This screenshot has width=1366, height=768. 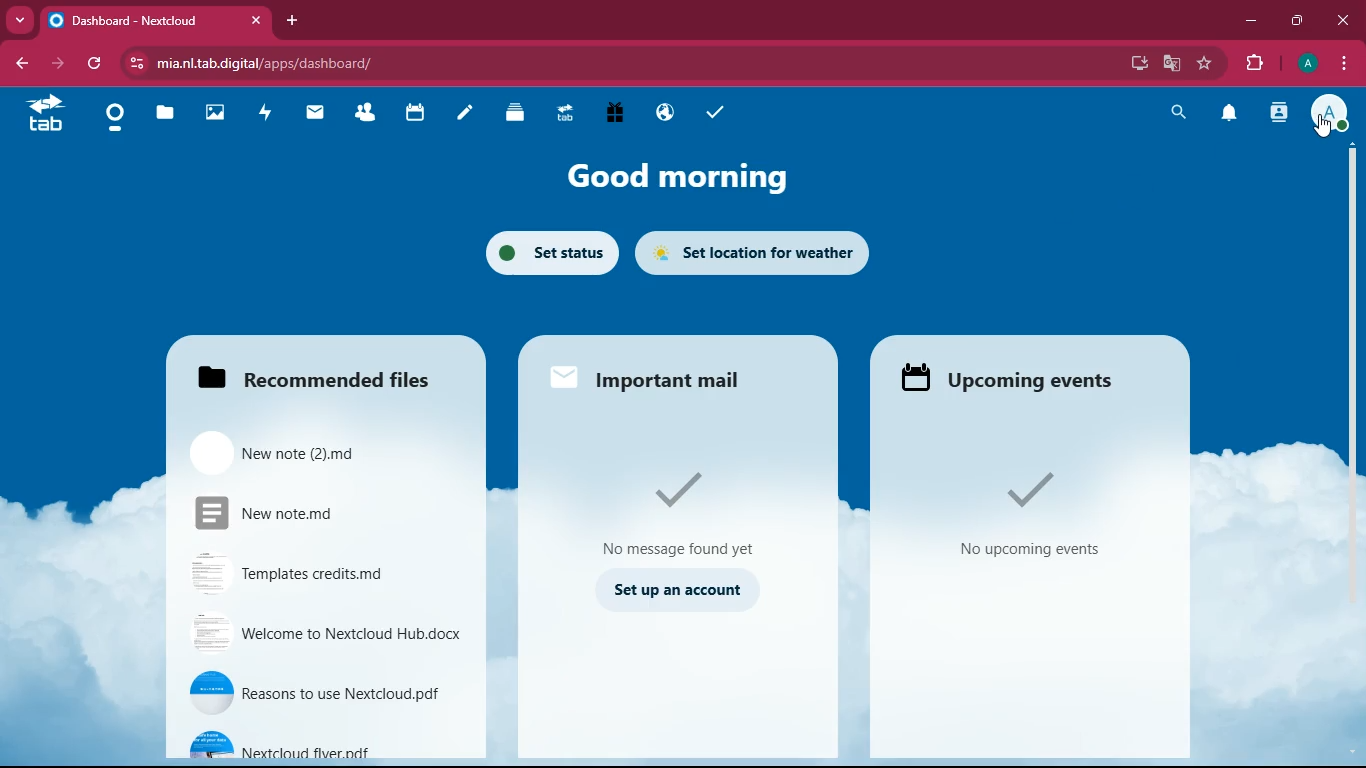 I want to click on Upcoming events, so click(x=1018, y=377).